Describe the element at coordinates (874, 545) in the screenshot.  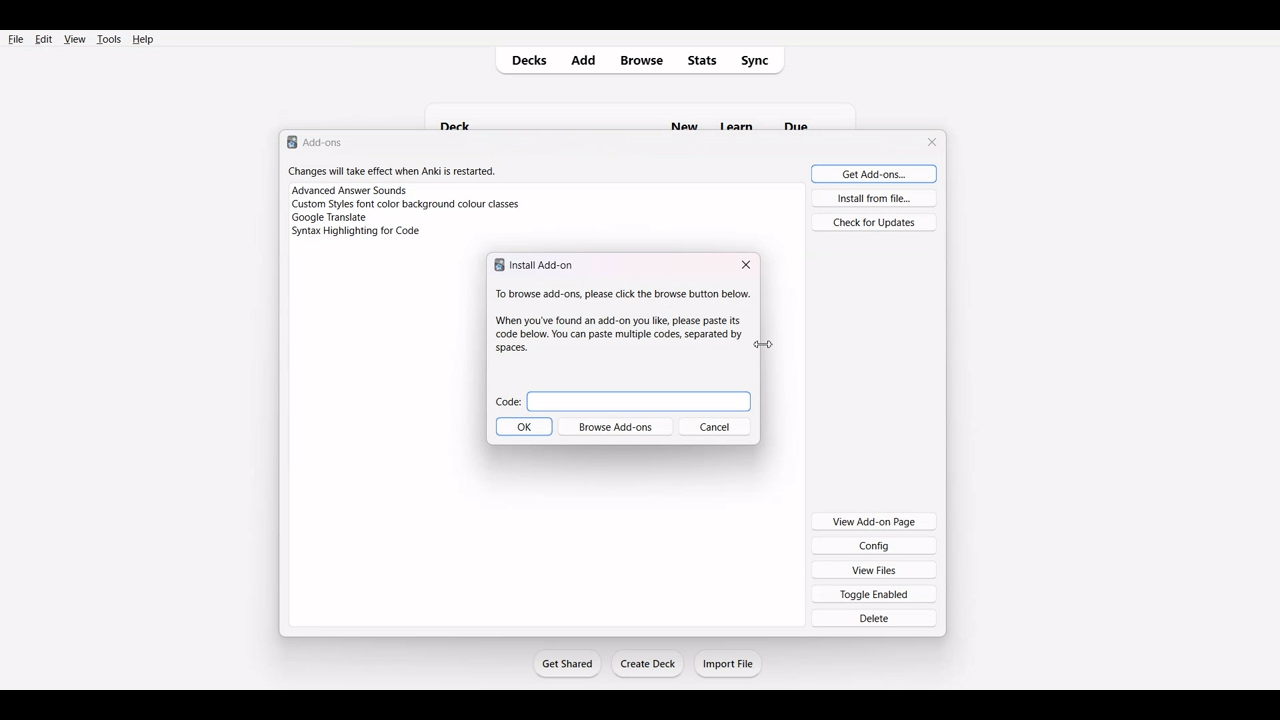
I see `Config` at that location.